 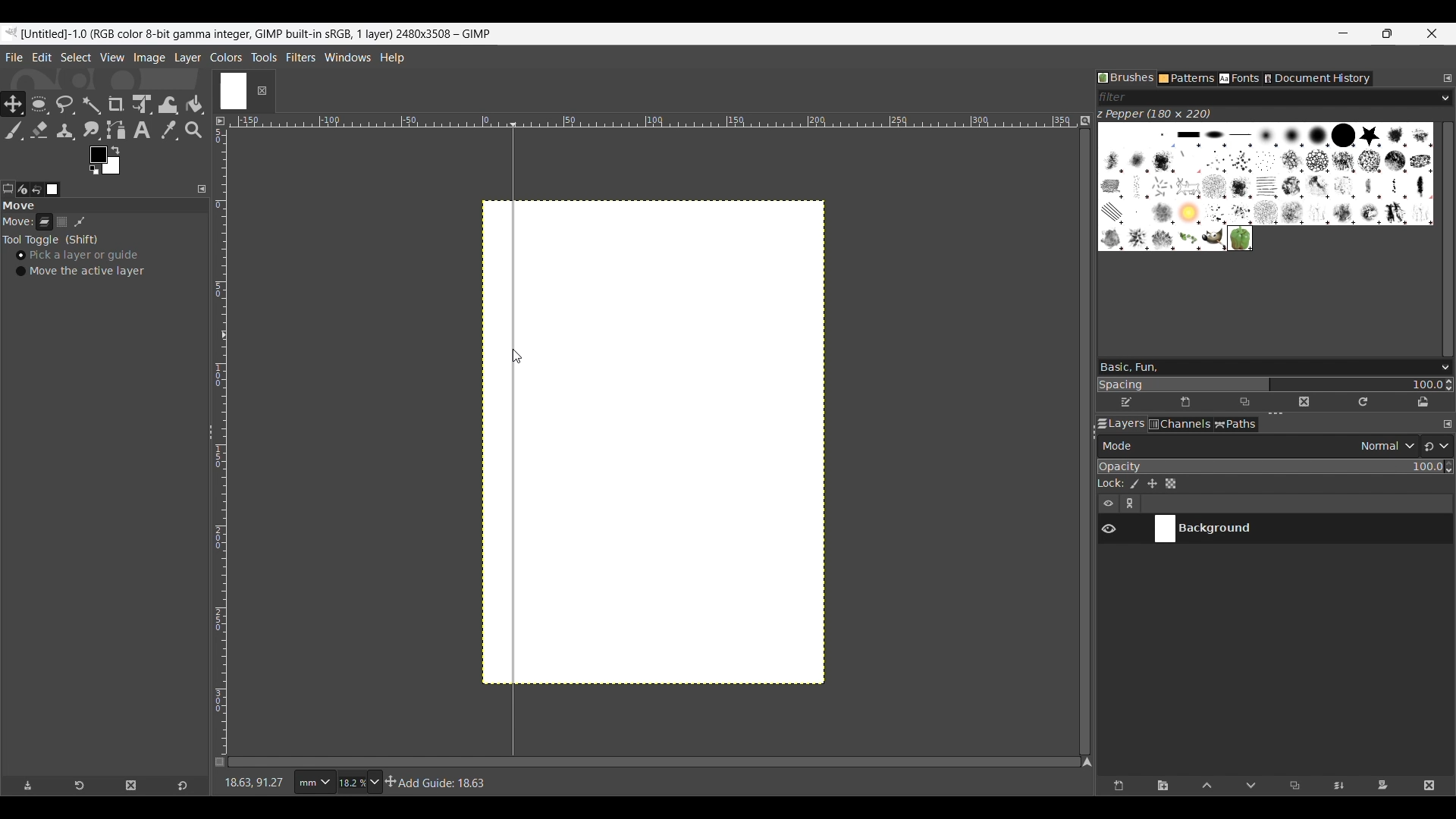 What do you see at coordinates (1244, 403) in the screenshot?
I see `Duplicate this brush` at bounding box center [1244, 403].